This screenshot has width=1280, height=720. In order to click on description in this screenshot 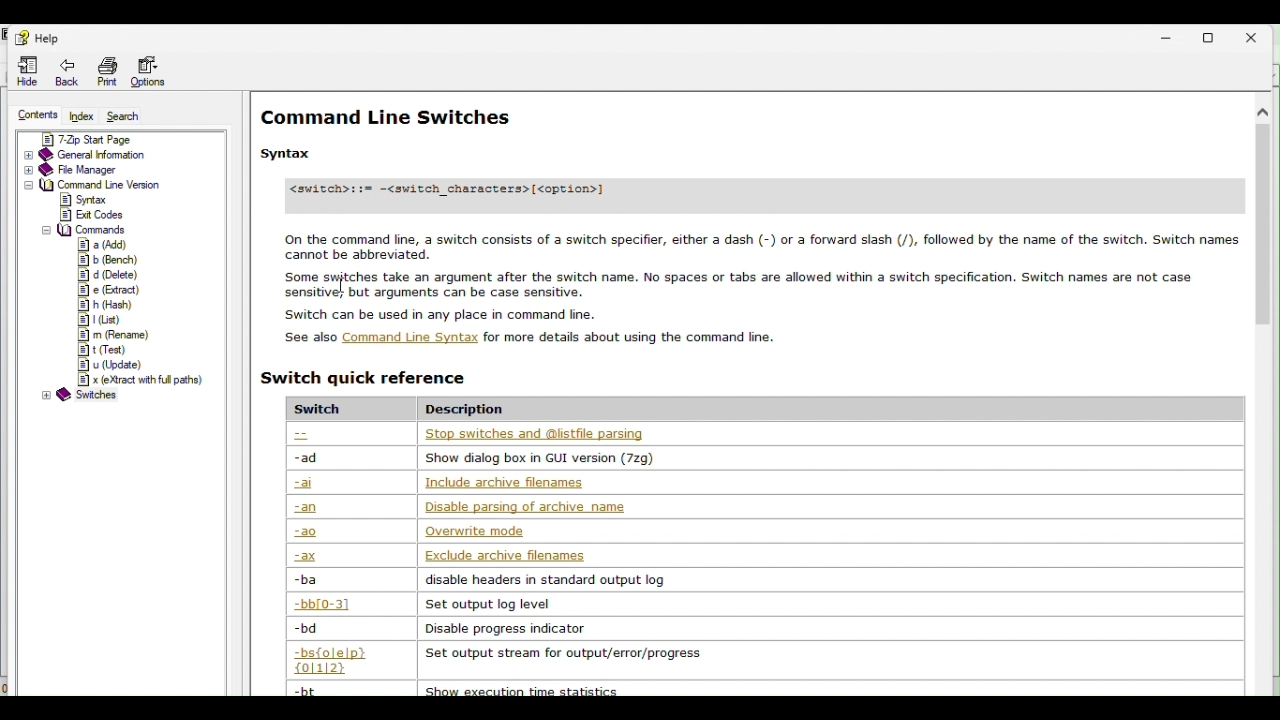, I will do `click(458, 408)`.